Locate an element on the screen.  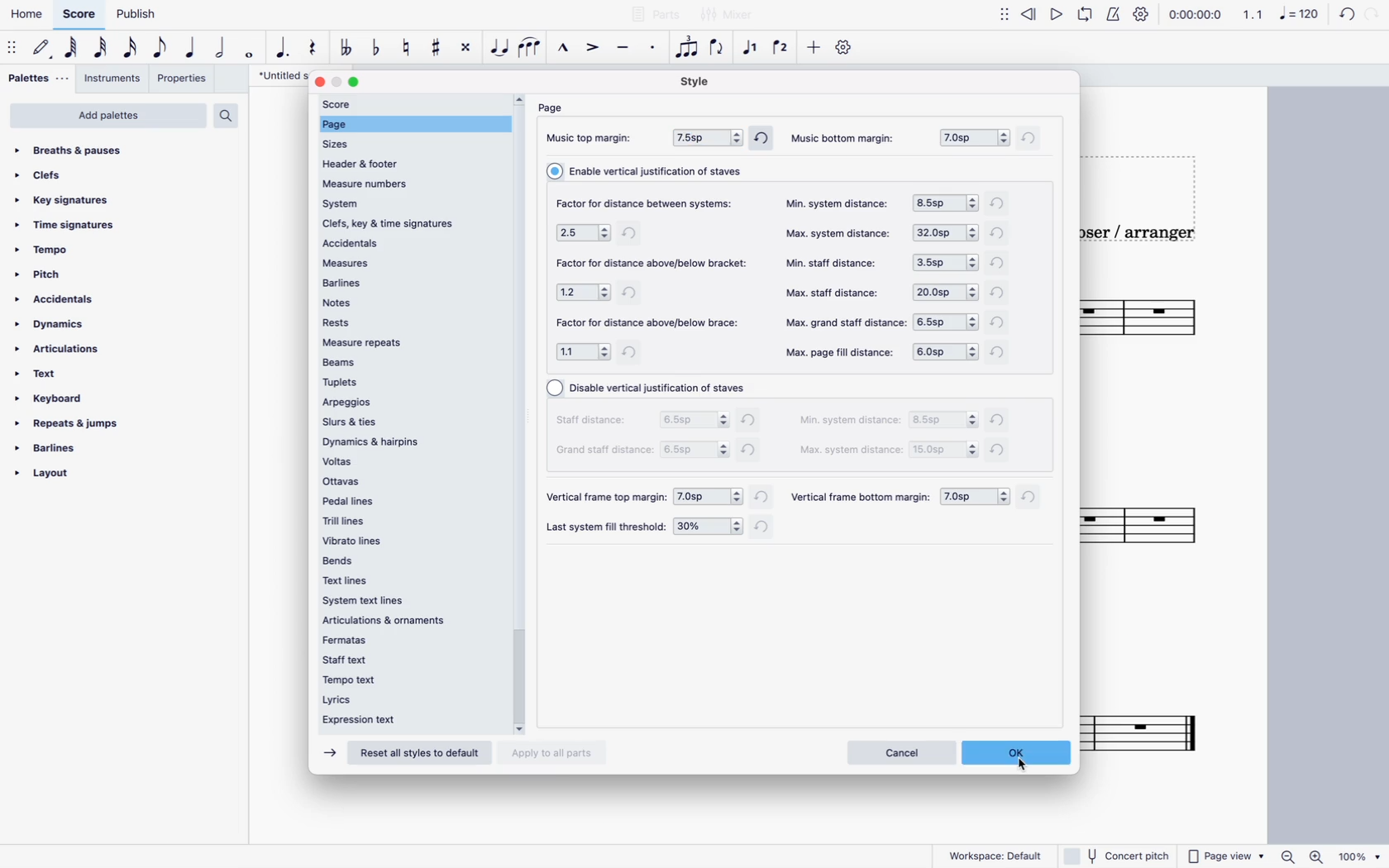
options is located at coordinates (944, 235).